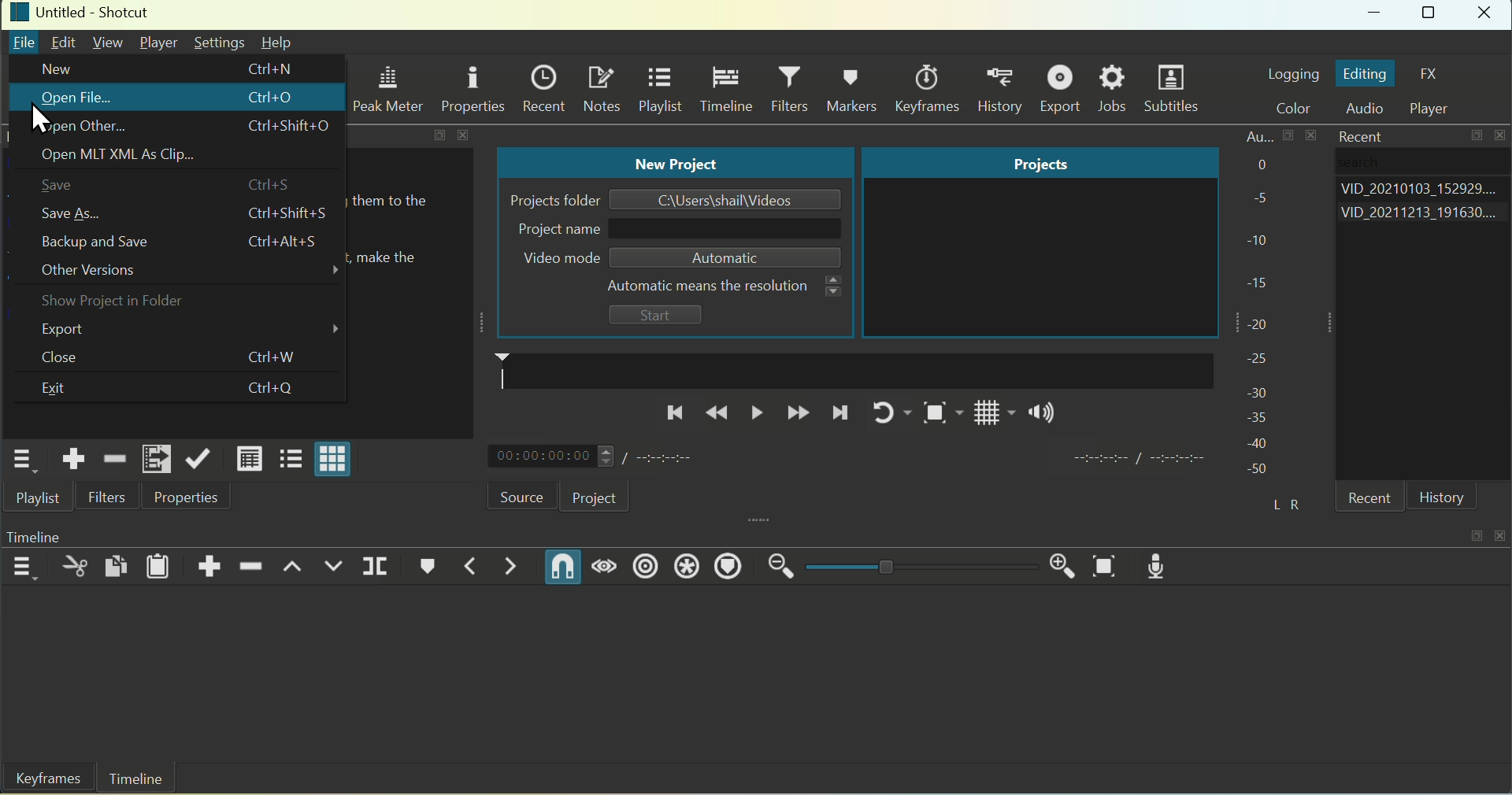 Image resolution: width=1512 pixels, height=795 pixels. I want to click on Video mode, so click(549, 259).